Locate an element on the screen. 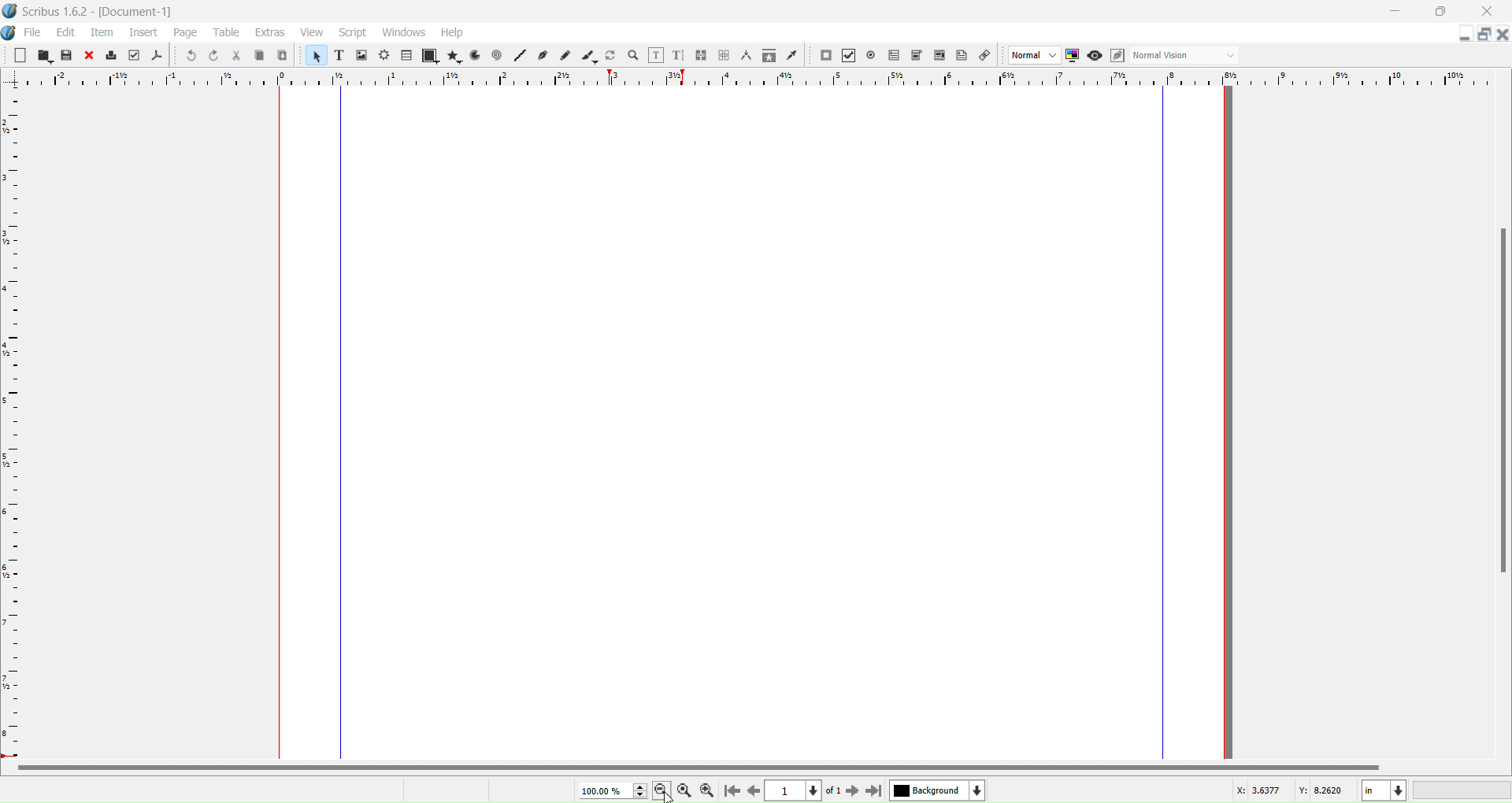 The image size is (1512, 803). PDF Push Button is located at coordinates (825, 56).